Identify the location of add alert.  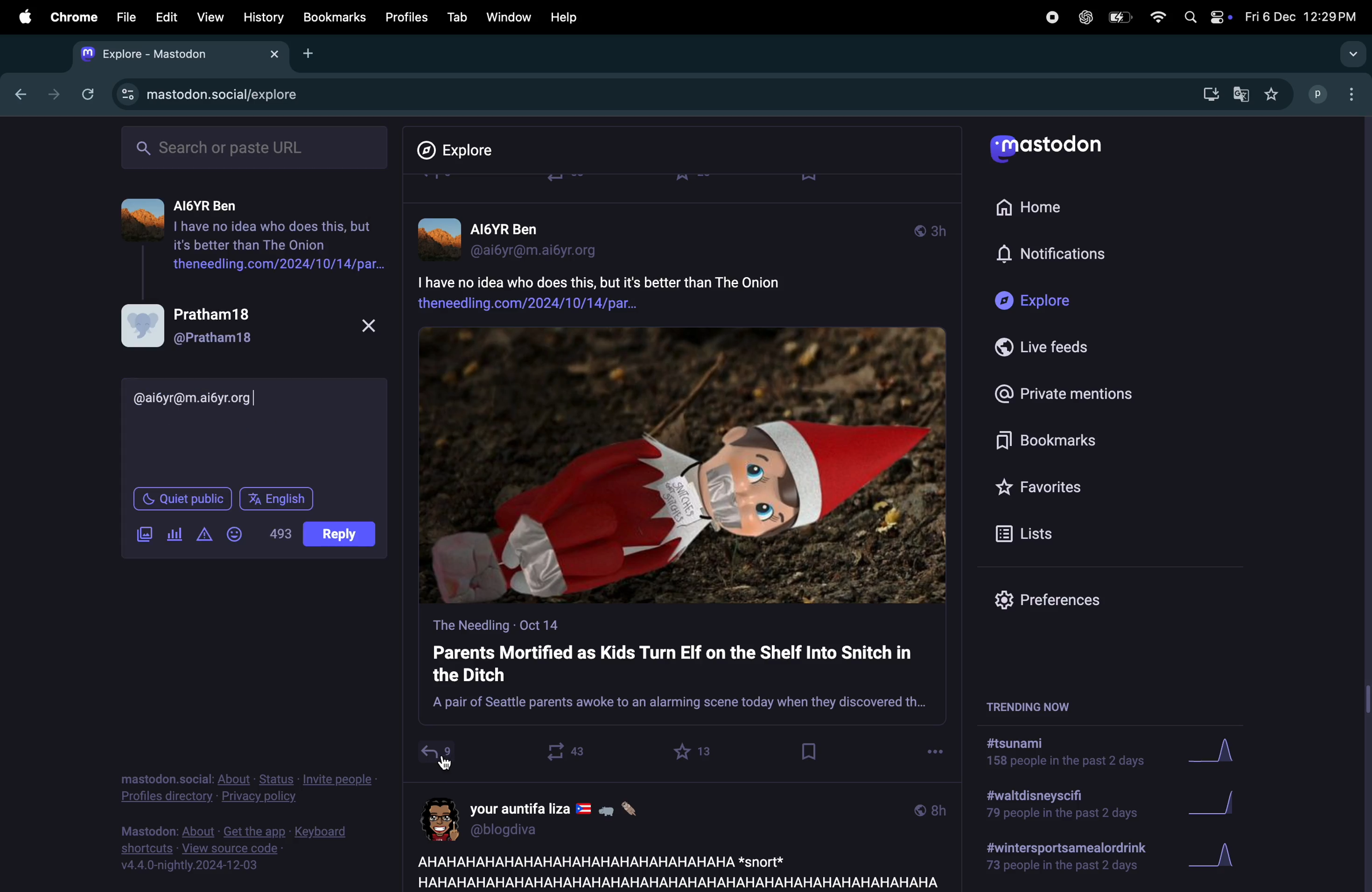
(206, 535).